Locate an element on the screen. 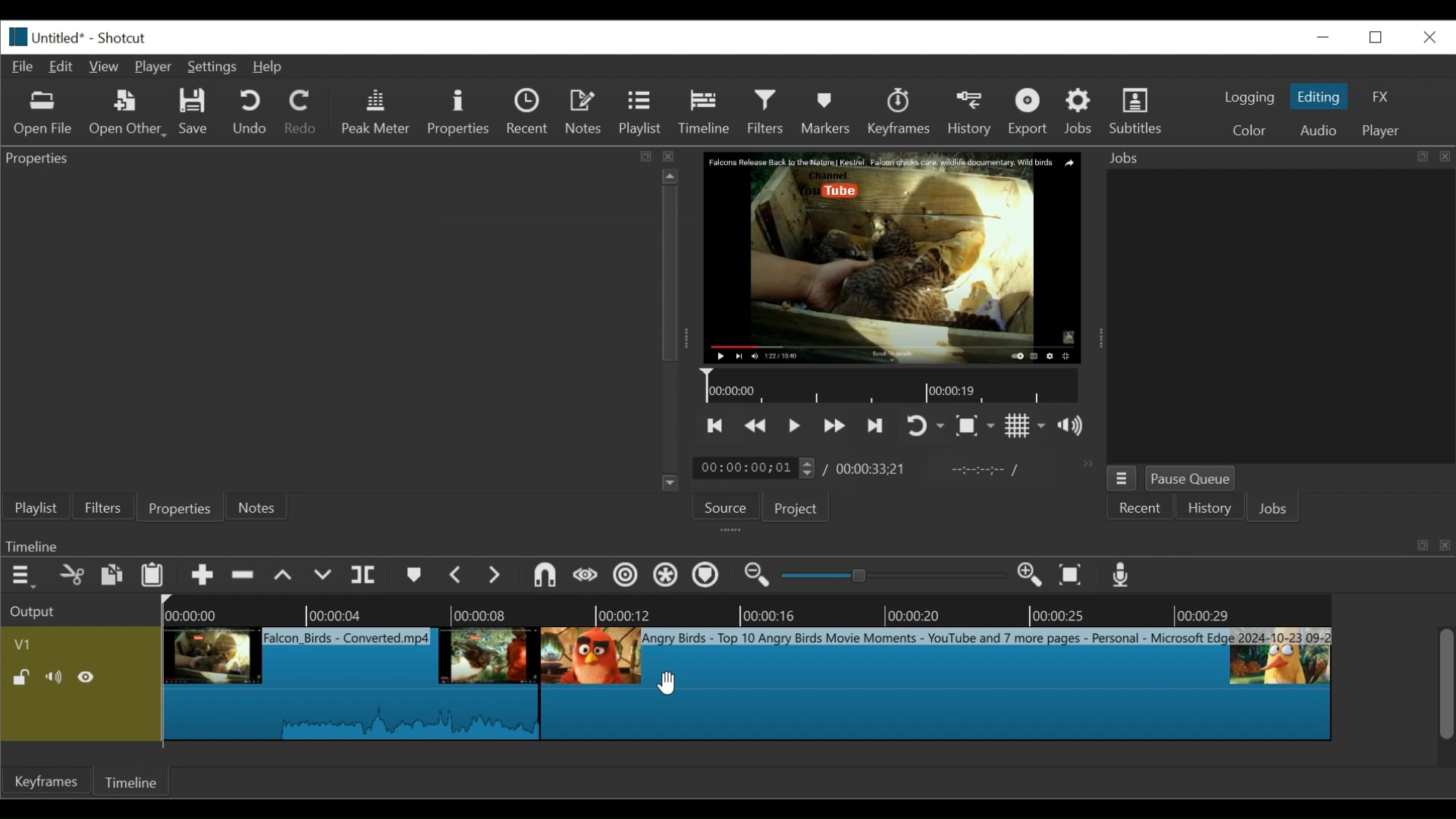 This screenshot has width=1456, height=819. History is located at coordinates (972, 115).